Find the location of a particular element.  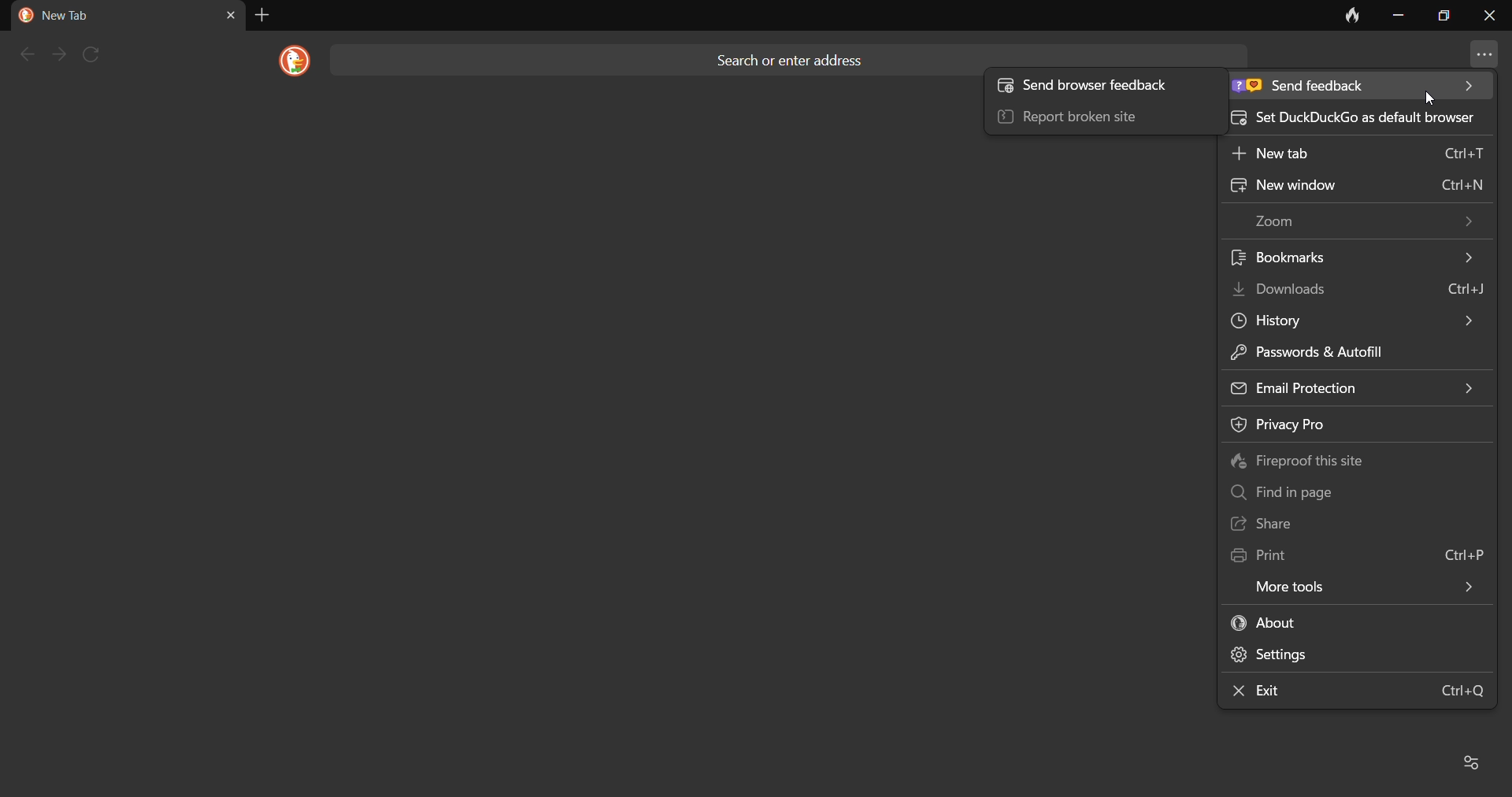

close is located at coordinates (1489, 20).